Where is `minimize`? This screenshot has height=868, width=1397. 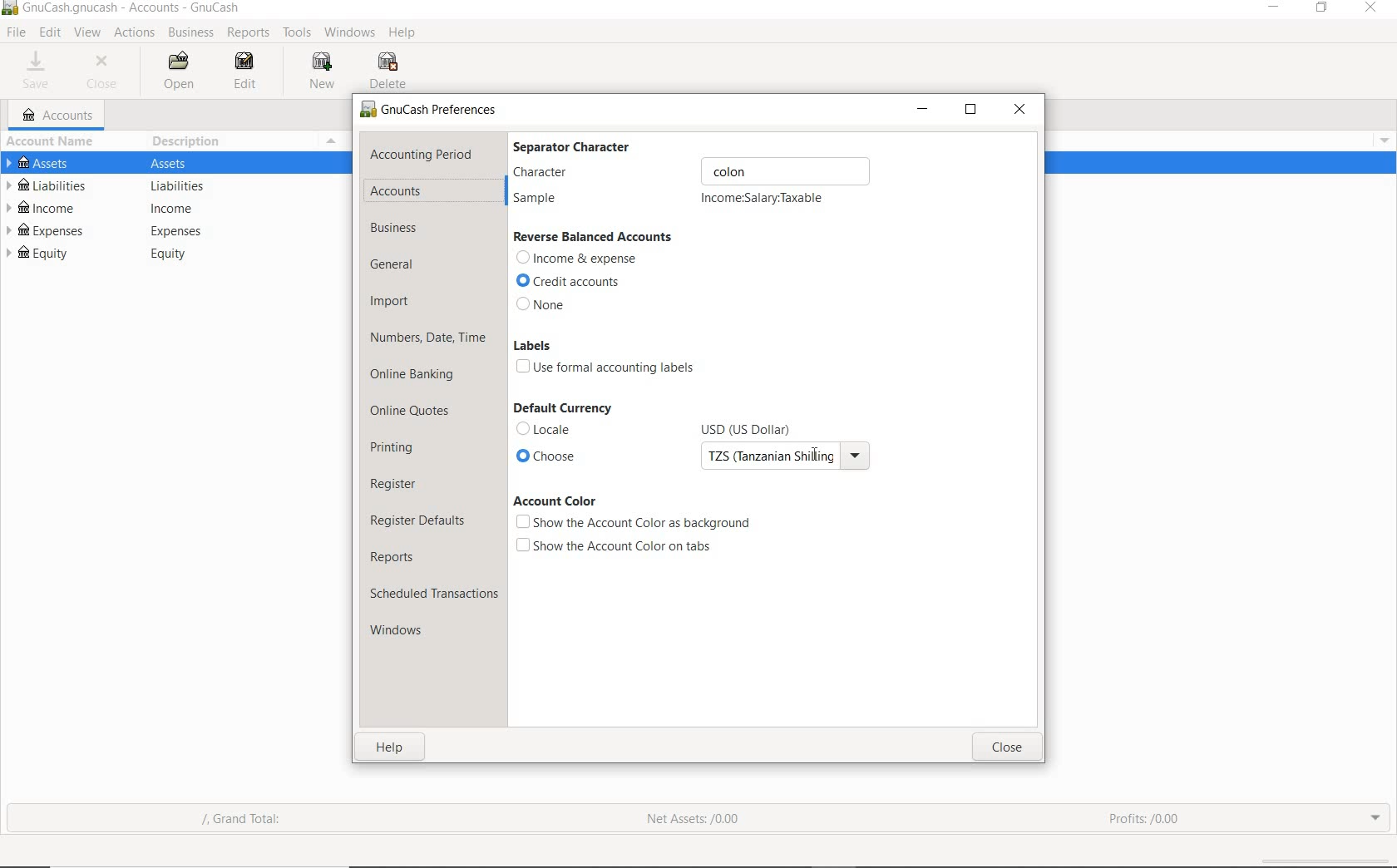
minimize is located at coordinates (1271, 8).